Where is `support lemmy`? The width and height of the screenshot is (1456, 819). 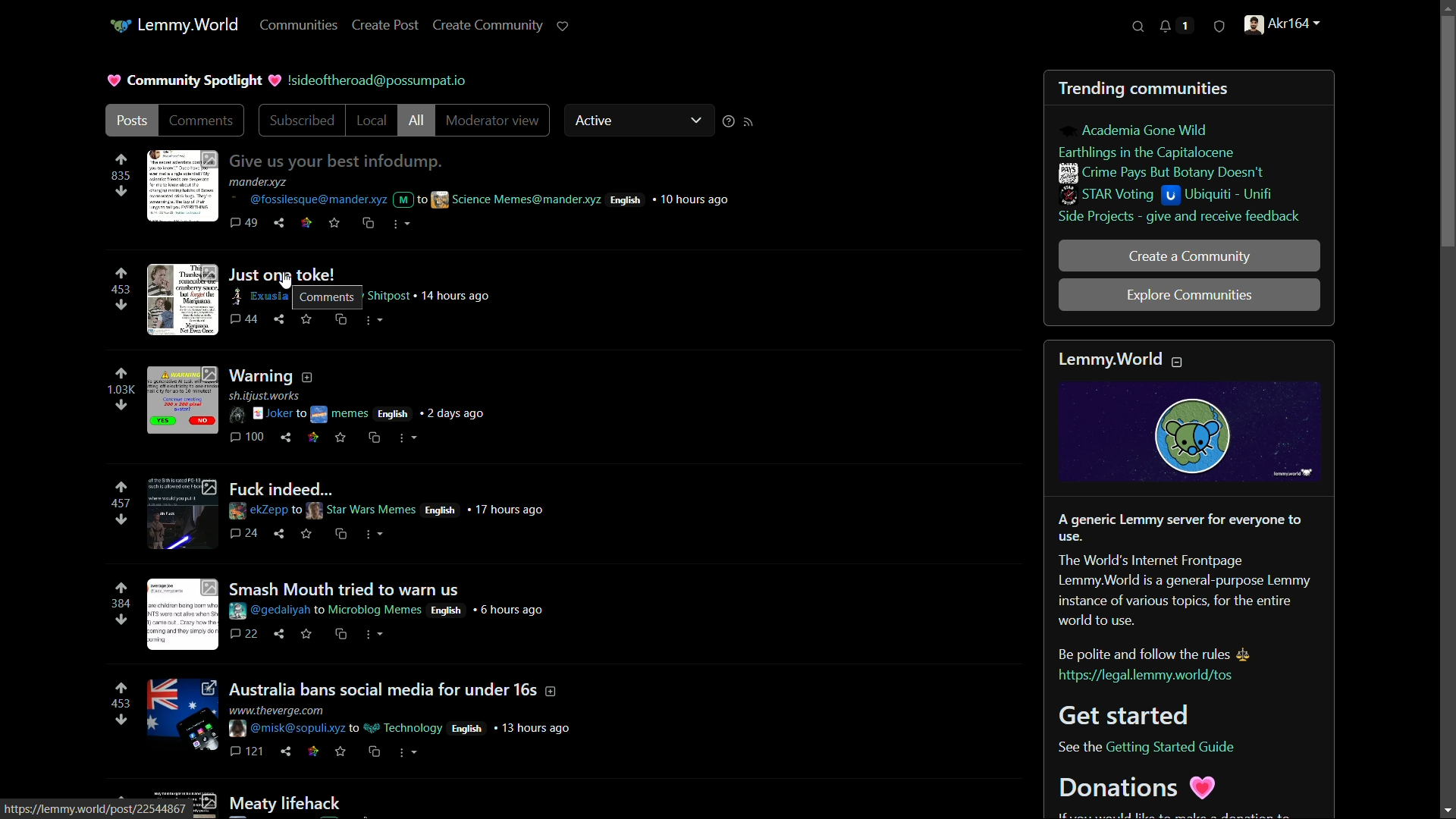
support lemmy is located at coordinates (563, 27).